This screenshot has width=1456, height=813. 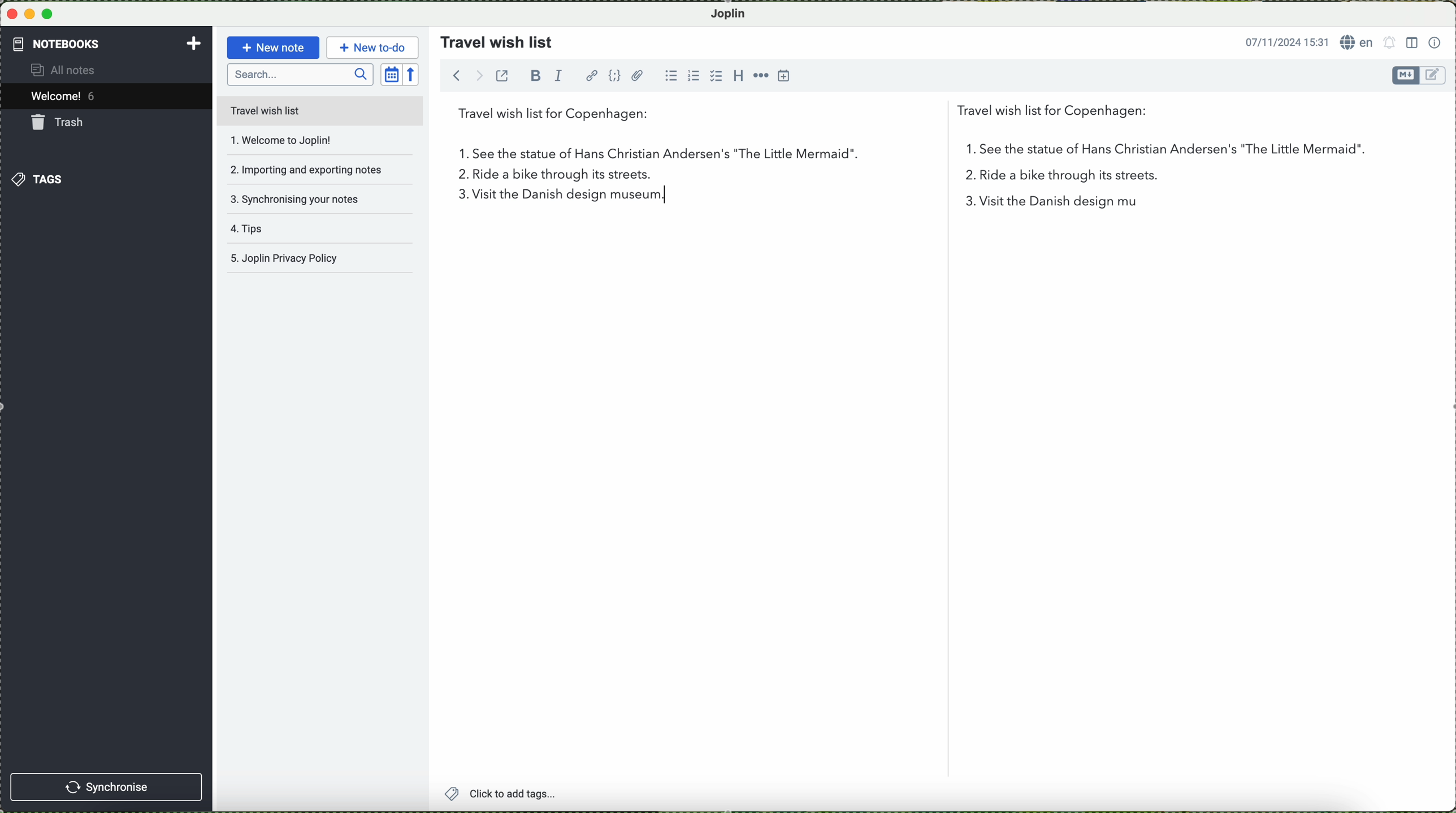 What do you see at coordinates (31, 14) in the screenshot?
I see `minimize` at bounding box center [31, 14].